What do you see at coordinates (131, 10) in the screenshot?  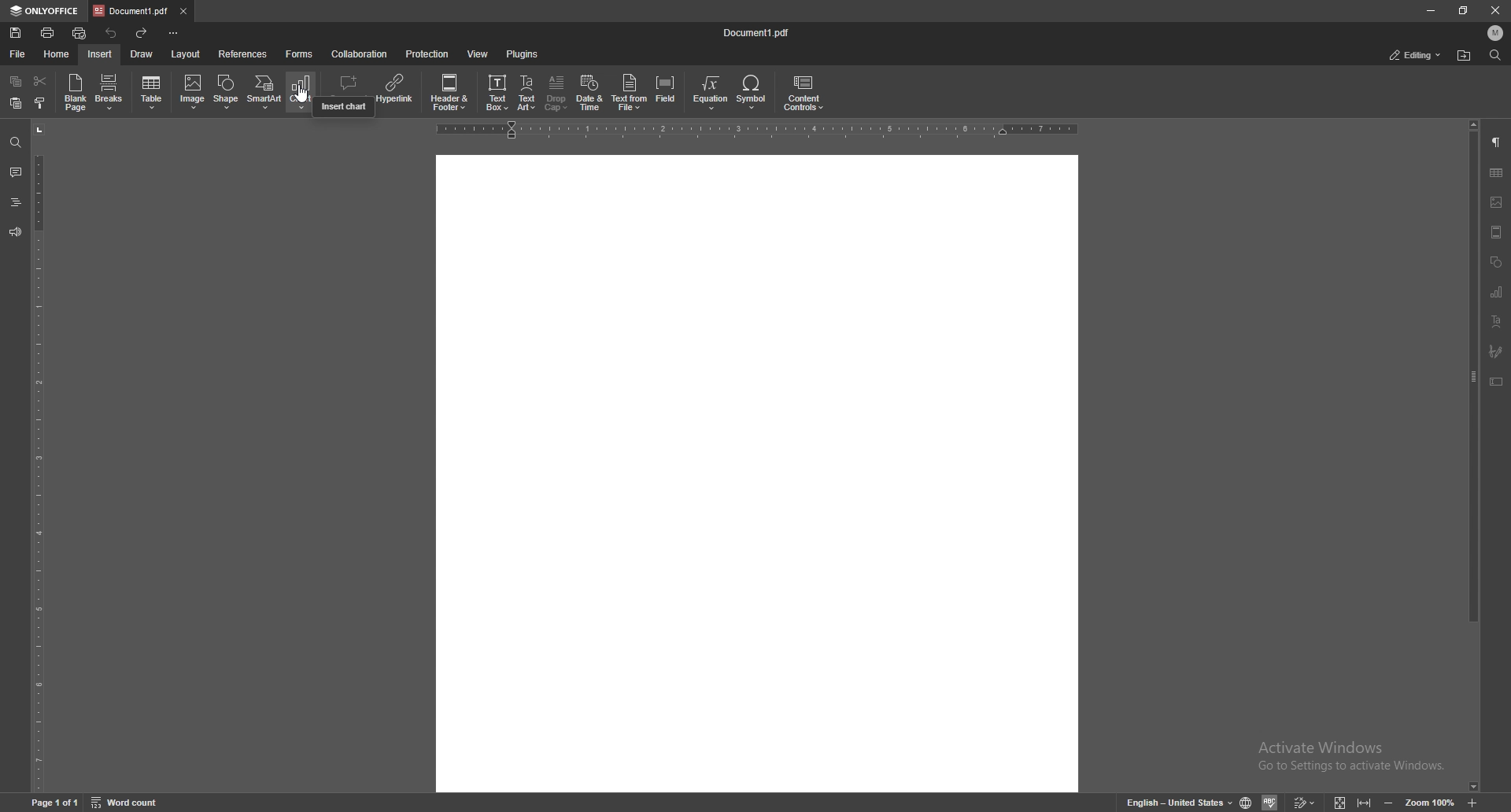 I see `tab` at bounding box center [131, 10].